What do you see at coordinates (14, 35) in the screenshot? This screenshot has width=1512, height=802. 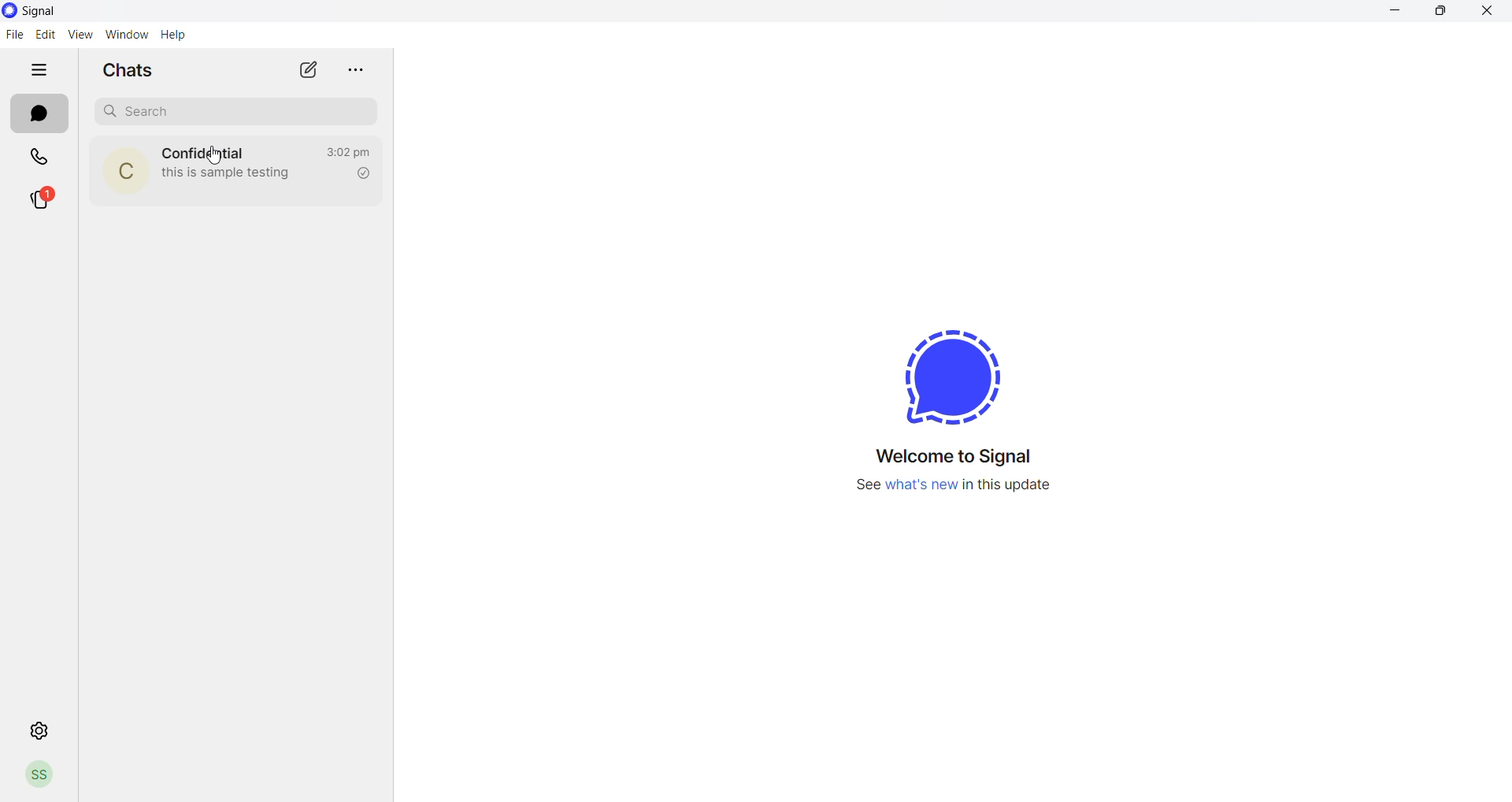 I see `file` at bounding box center [14, 35].